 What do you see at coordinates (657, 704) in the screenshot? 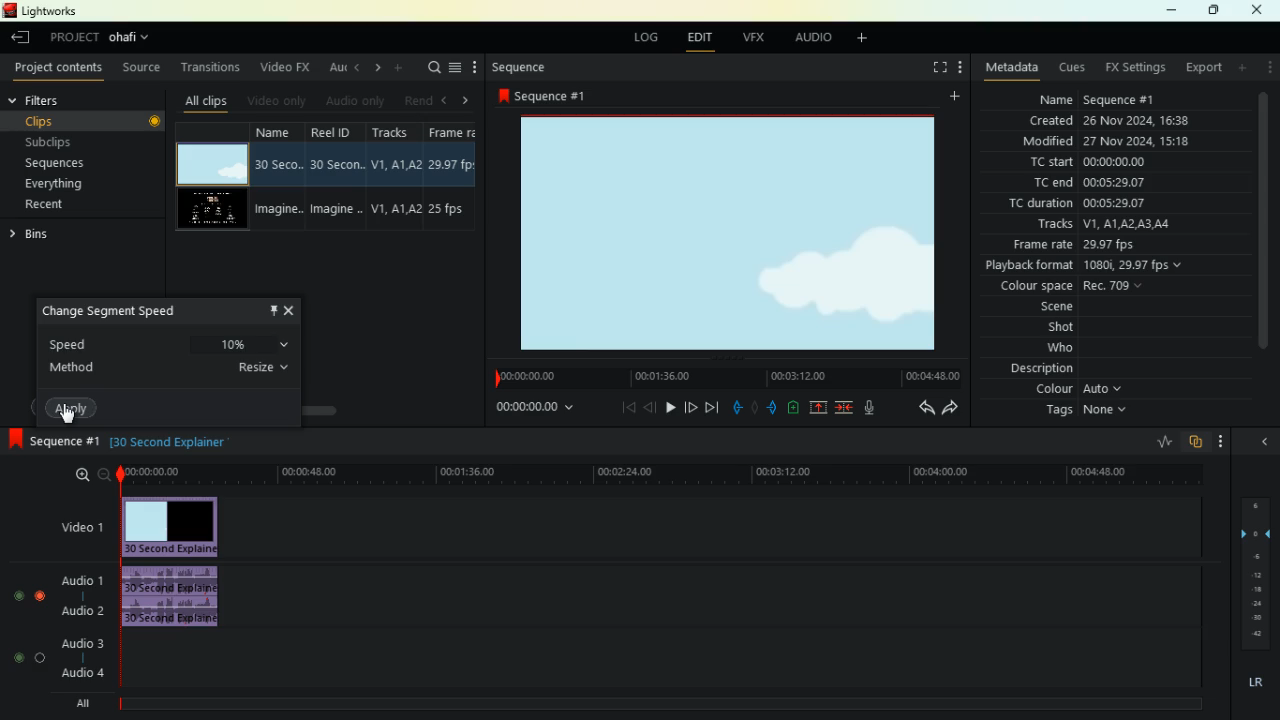
I see `timeline` at bounding box center [657, 704].